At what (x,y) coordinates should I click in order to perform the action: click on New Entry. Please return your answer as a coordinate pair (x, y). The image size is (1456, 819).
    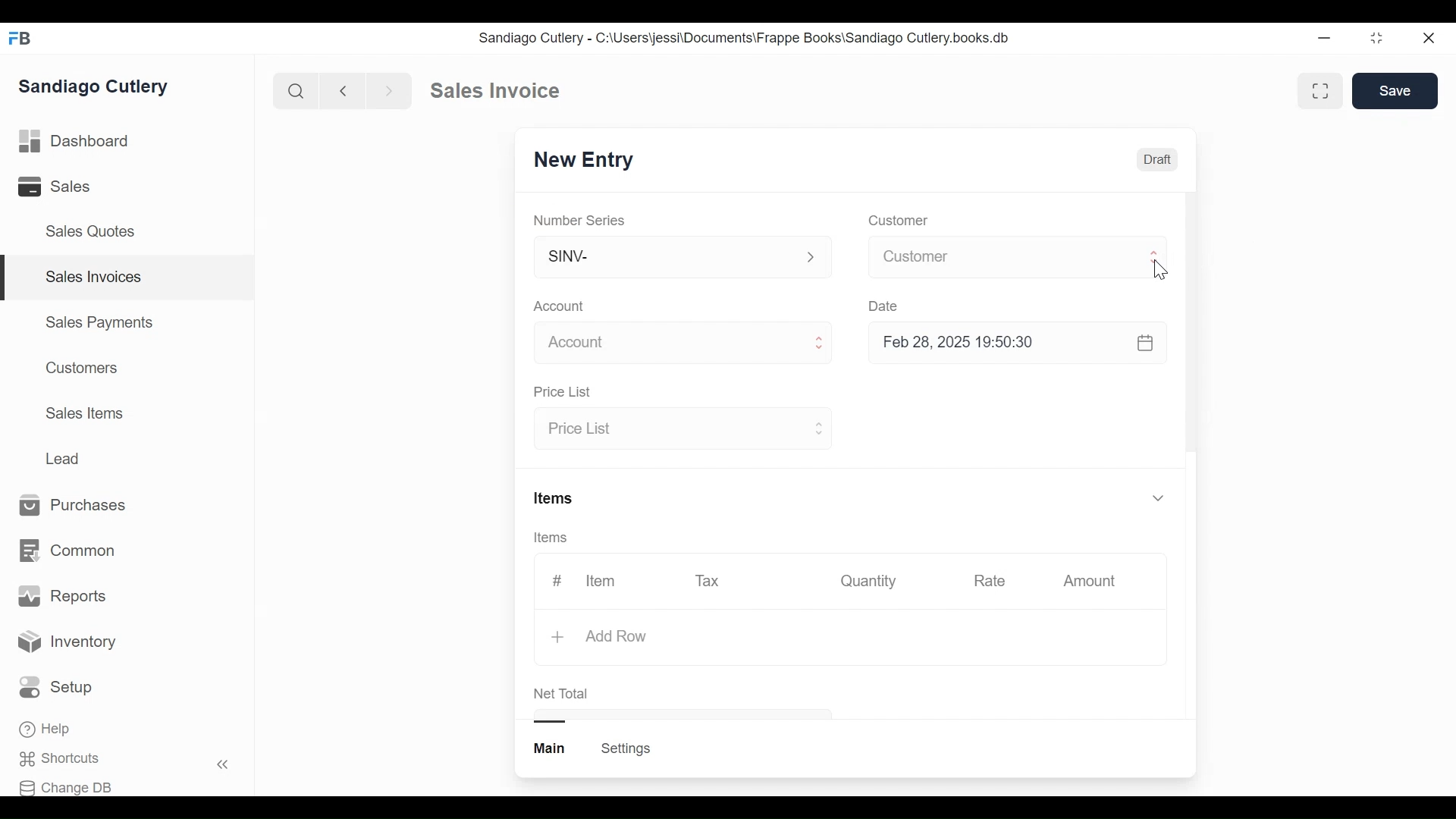
    Looking at the image, I should click on (579, 162).